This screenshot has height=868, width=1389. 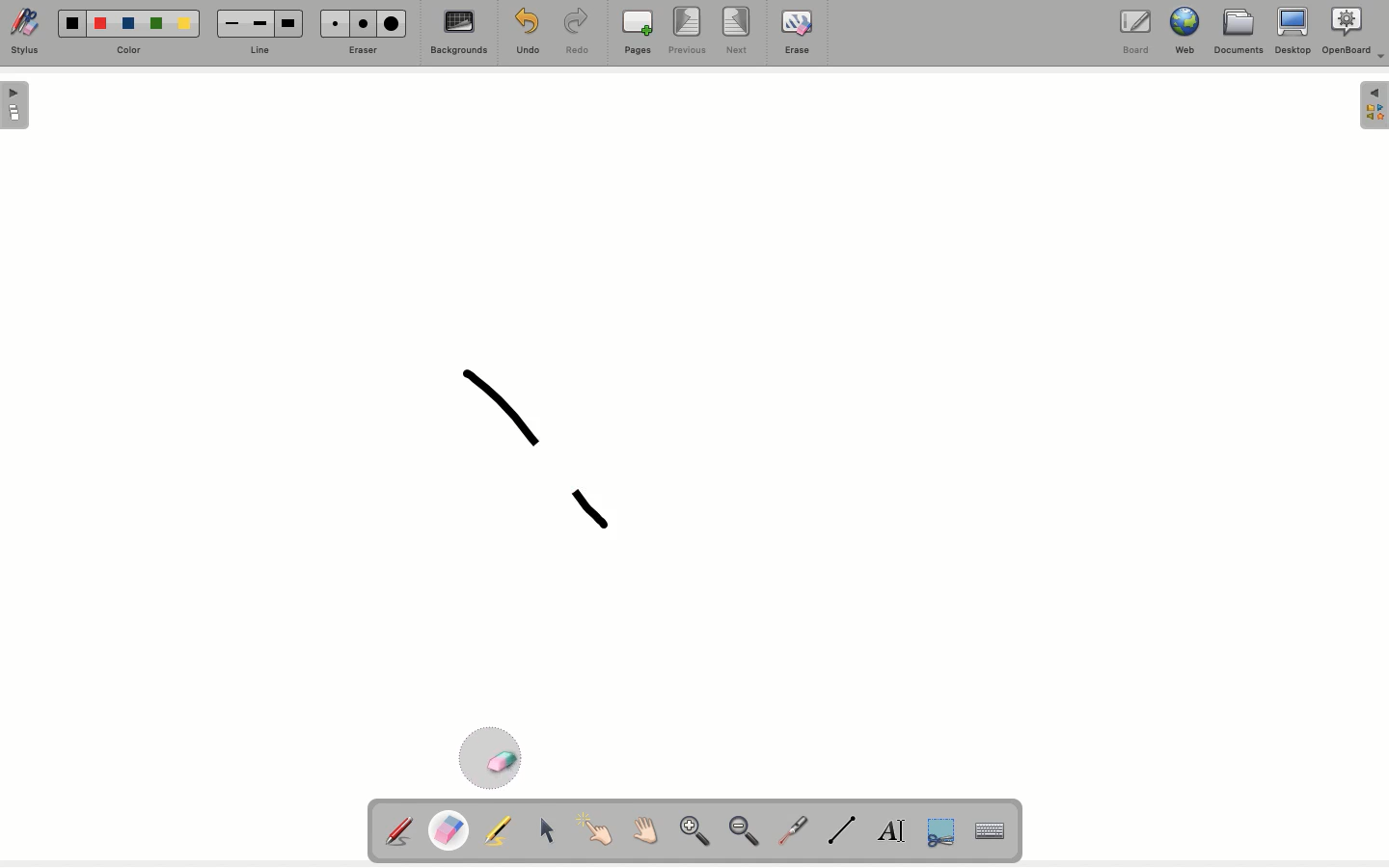 I want to click on Cut, so click(x=940, y=833).